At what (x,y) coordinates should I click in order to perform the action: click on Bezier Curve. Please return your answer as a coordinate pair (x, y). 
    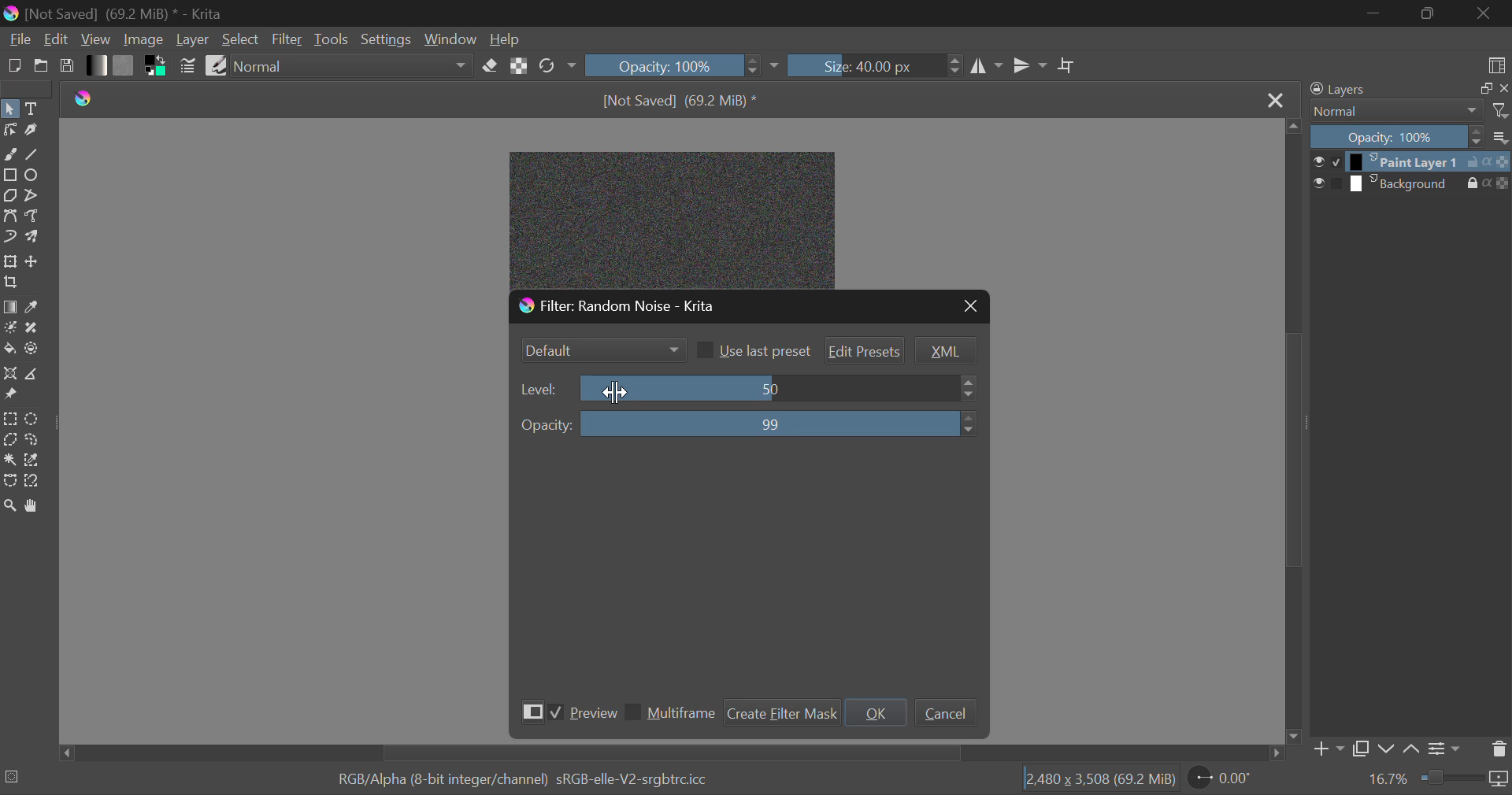
    Looking at the image, I should click on (11, 217).